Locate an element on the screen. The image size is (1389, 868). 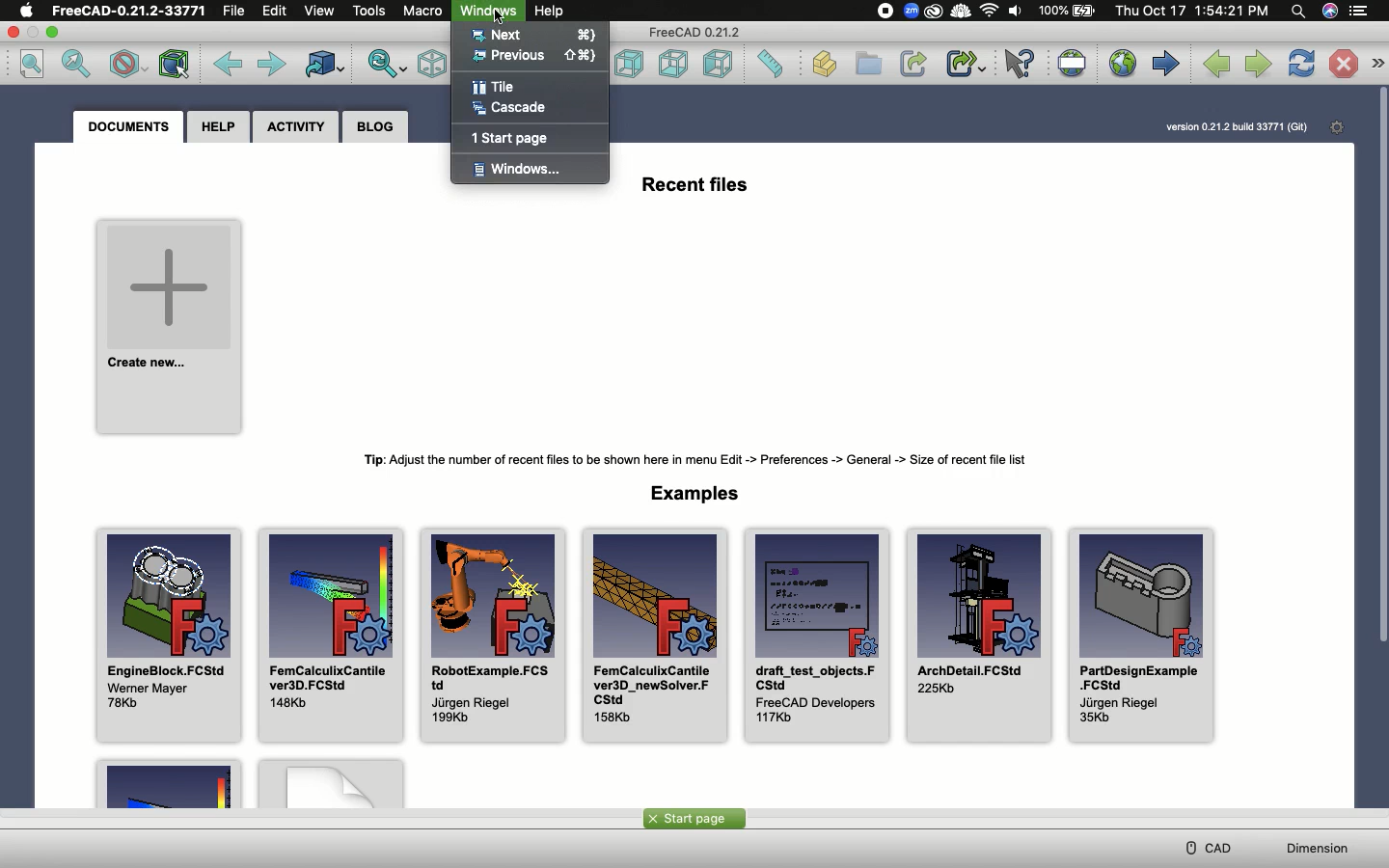
FreeCAD is located at coordinates (129, 10).